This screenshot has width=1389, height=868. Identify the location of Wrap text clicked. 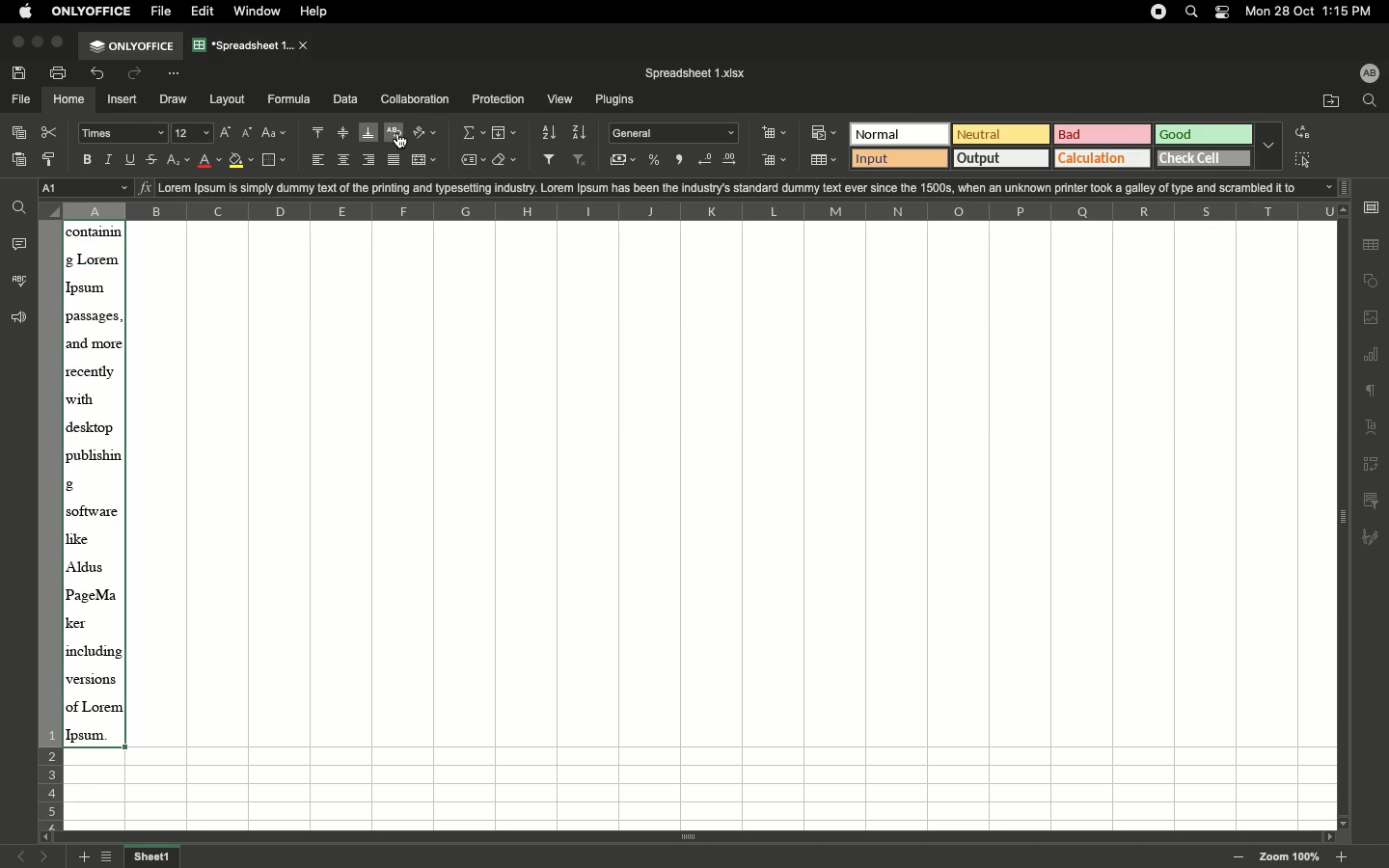
(395, 135).